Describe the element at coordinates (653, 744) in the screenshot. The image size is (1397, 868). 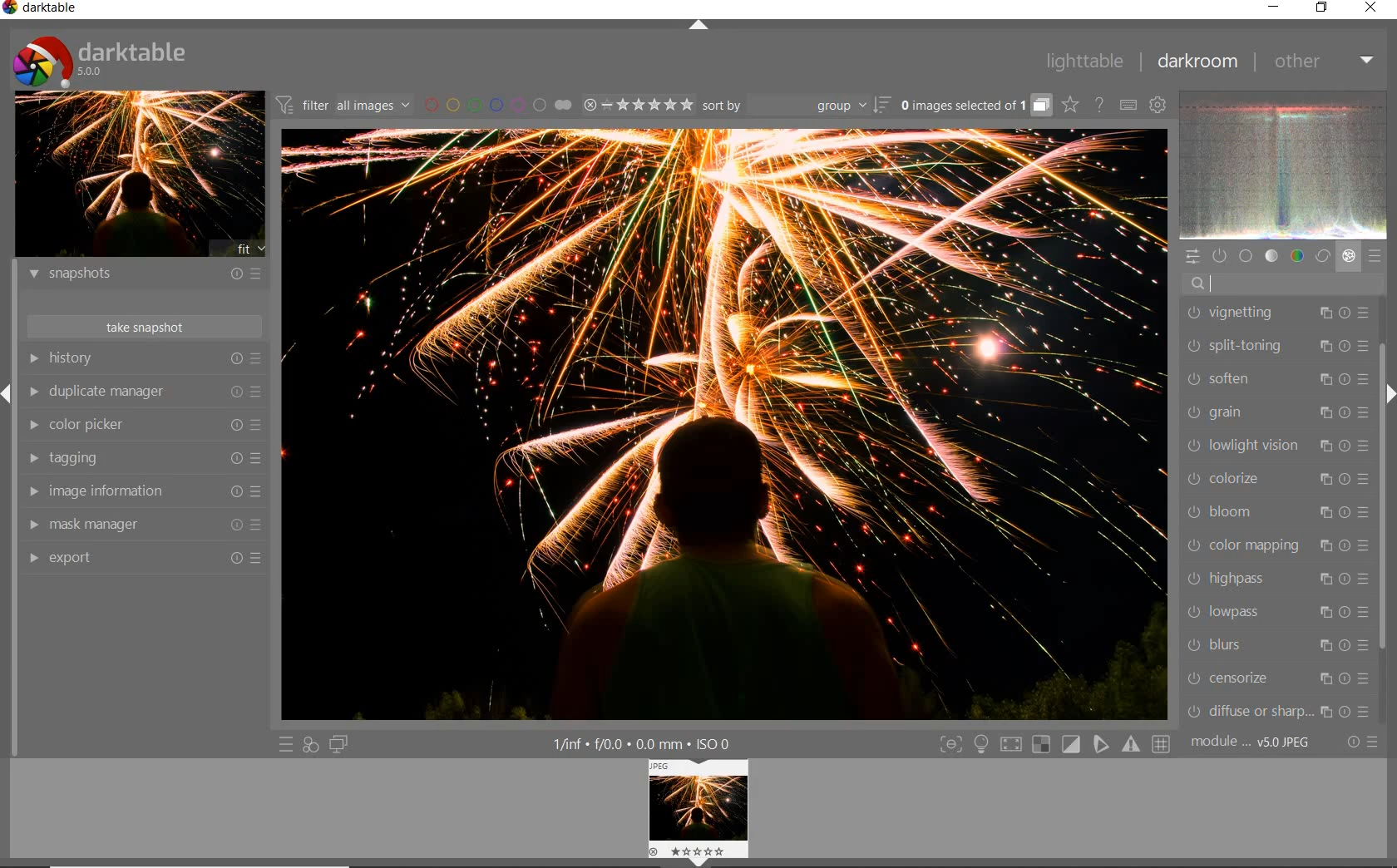
I see `1/inf*f/0.0 mm*ISO 0` at that location.